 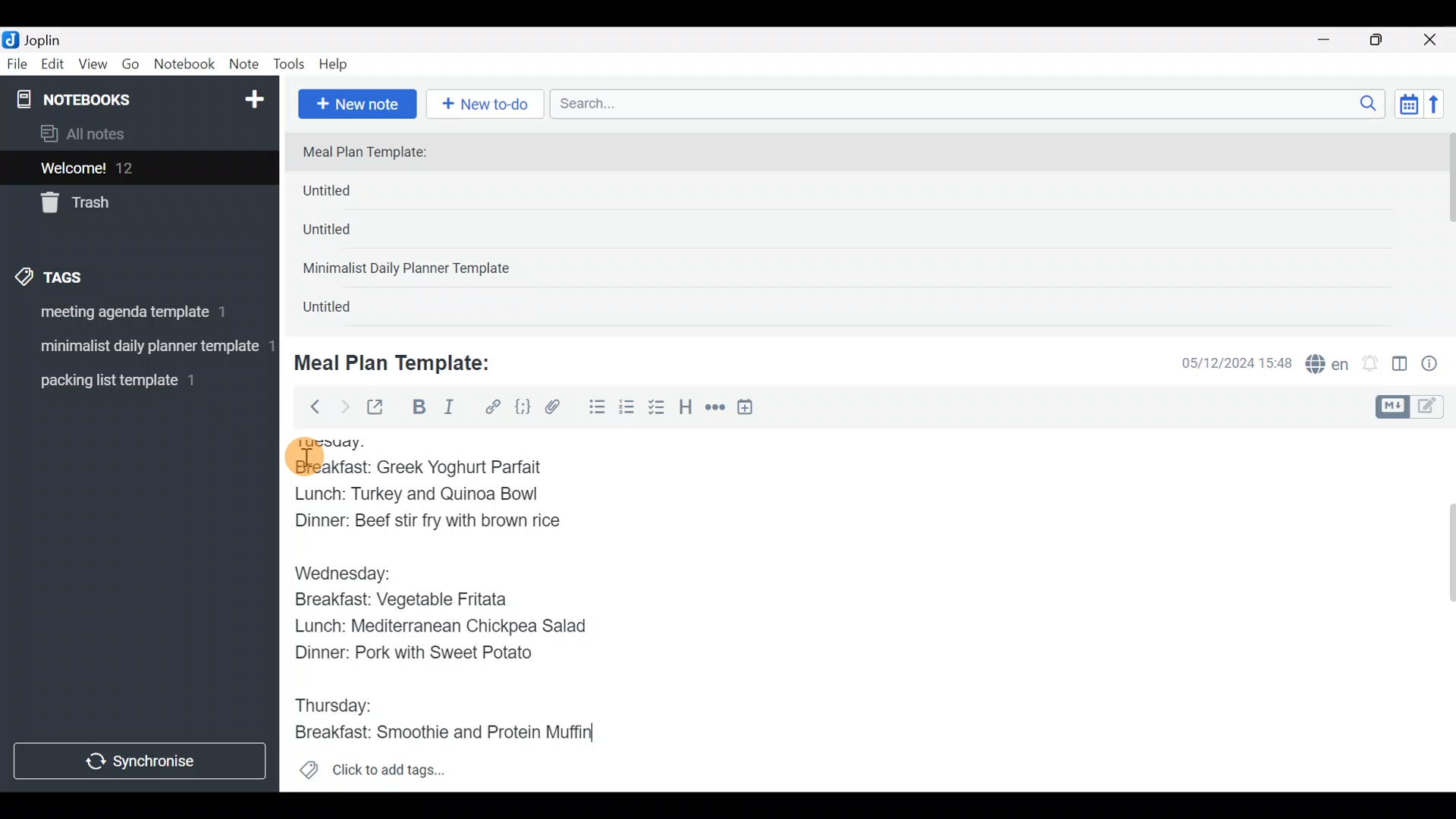 What do you see at coordinates (402, 361) in the screenshot?
I see `Meal Plan Template:` at bounding box center [402, 361].